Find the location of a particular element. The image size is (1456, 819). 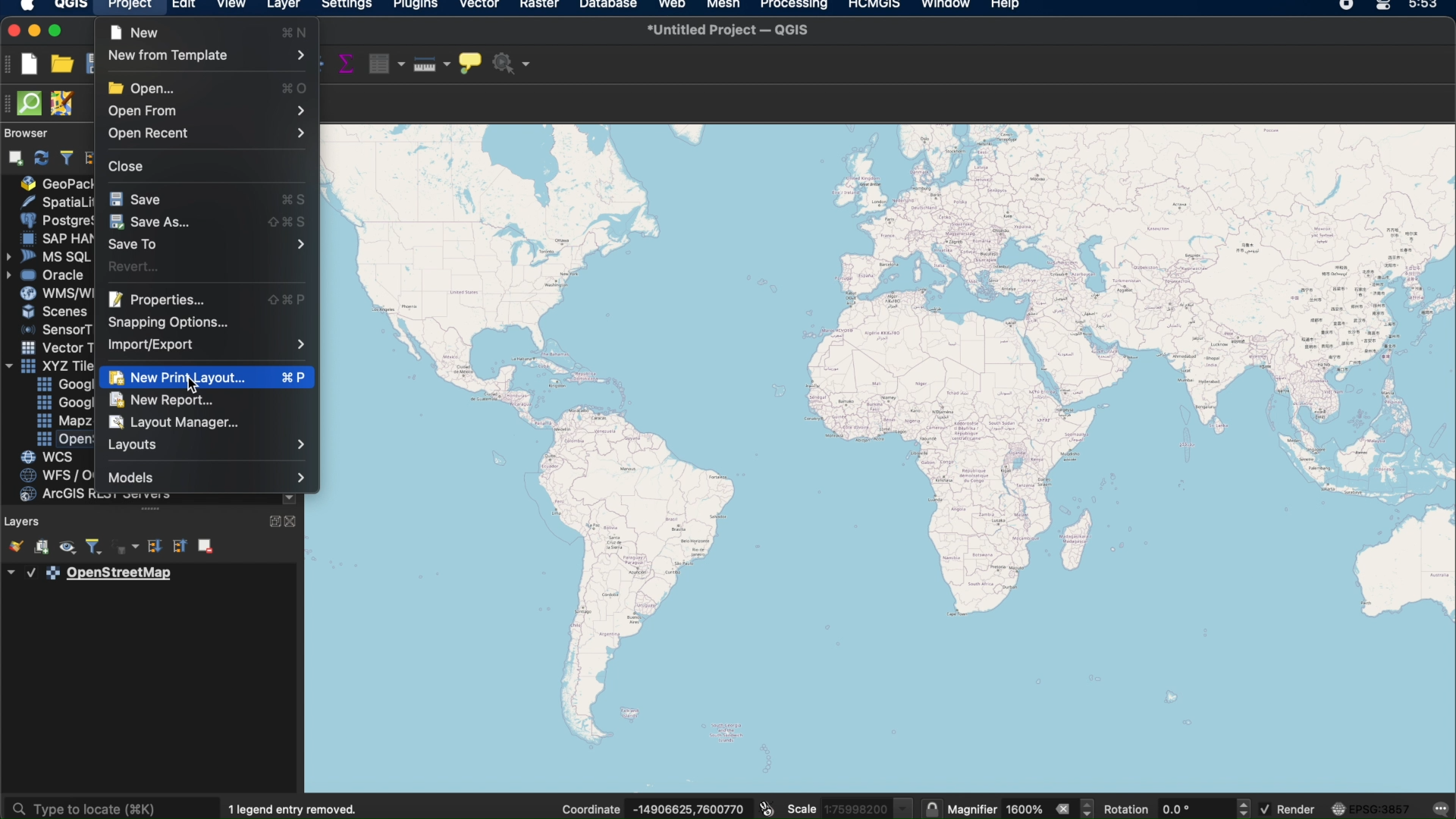

qgis is located at coordinates (69, 6).